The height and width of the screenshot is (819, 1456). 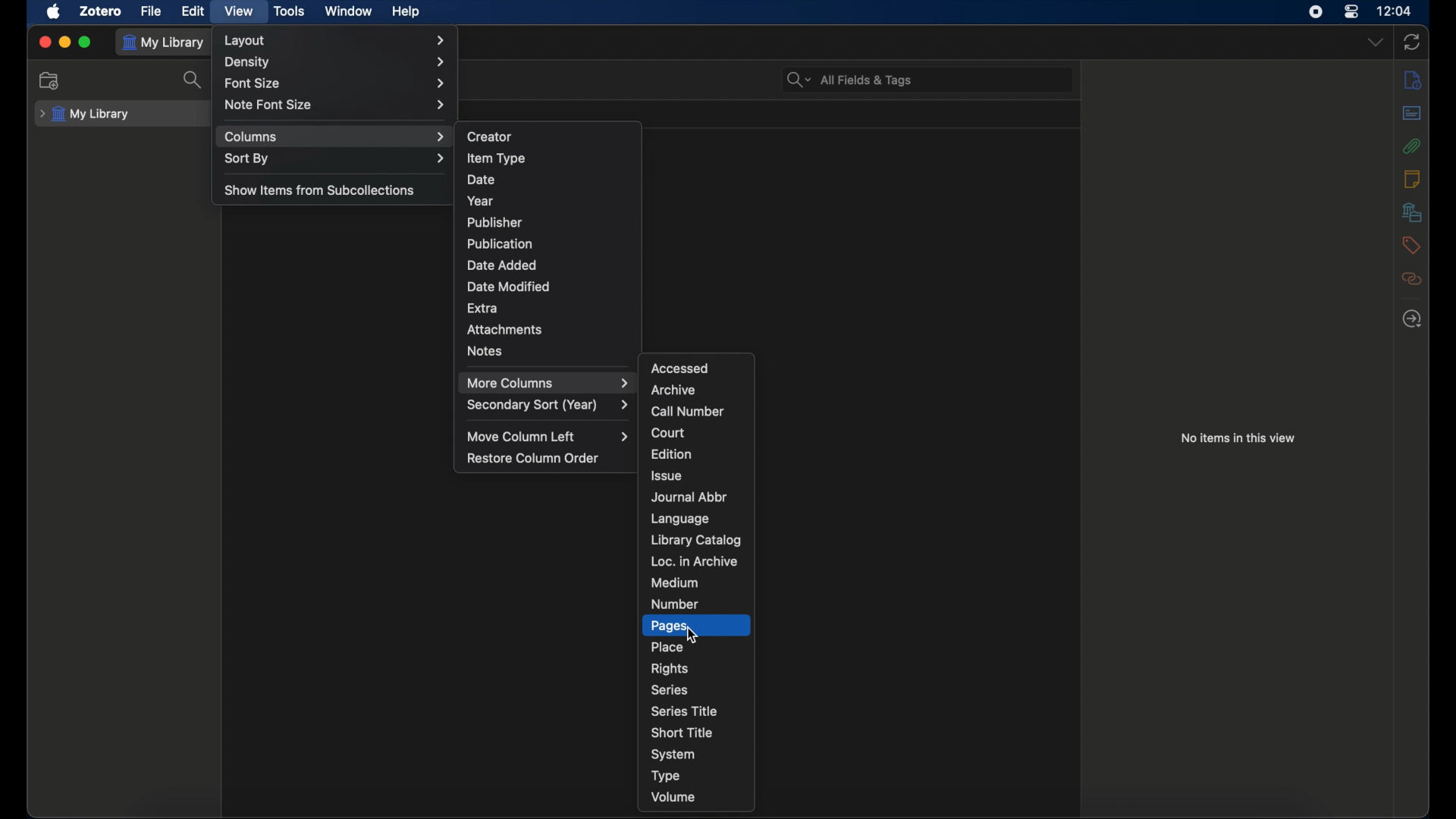 What do you see at coordinates (102, 11) in the screenshot?
I see `zotero` at bounding box center [102, 11].